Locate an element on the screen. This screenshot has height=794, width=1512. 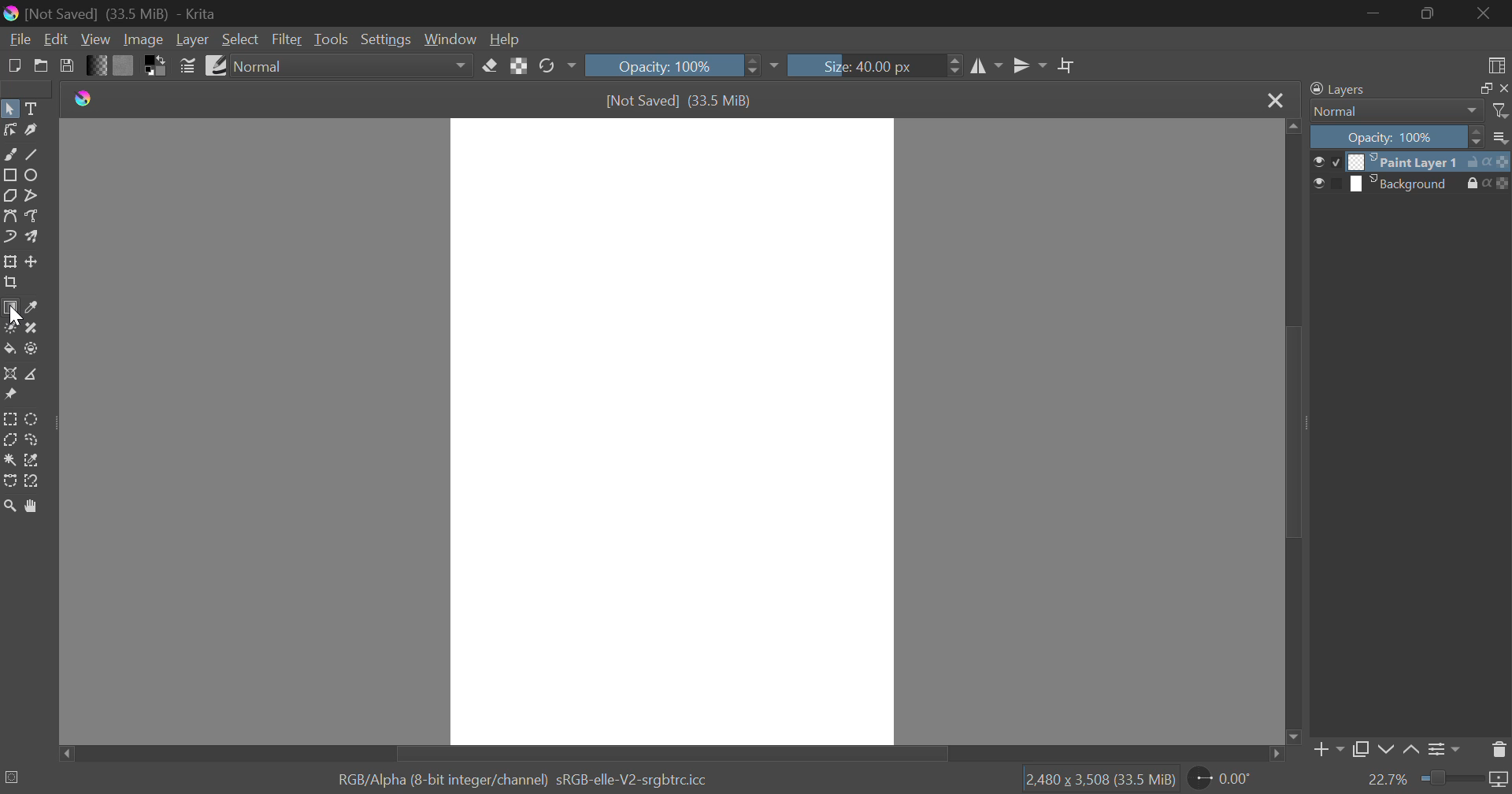
Crop is located at coordinates (1067, 66).